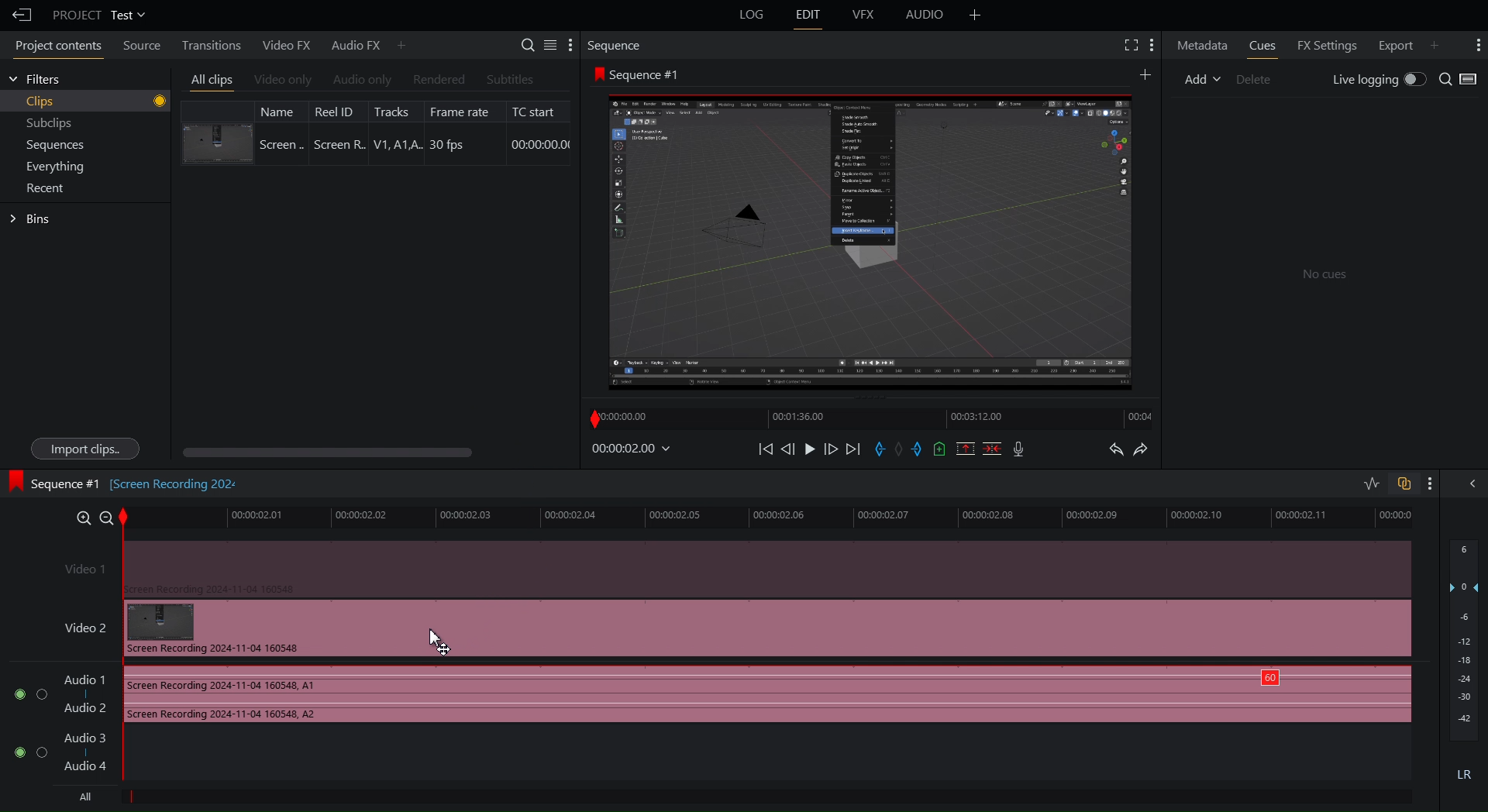 The width and height of the screenshot is (1488, 812). I want to click on Audio, so click(925, 17).